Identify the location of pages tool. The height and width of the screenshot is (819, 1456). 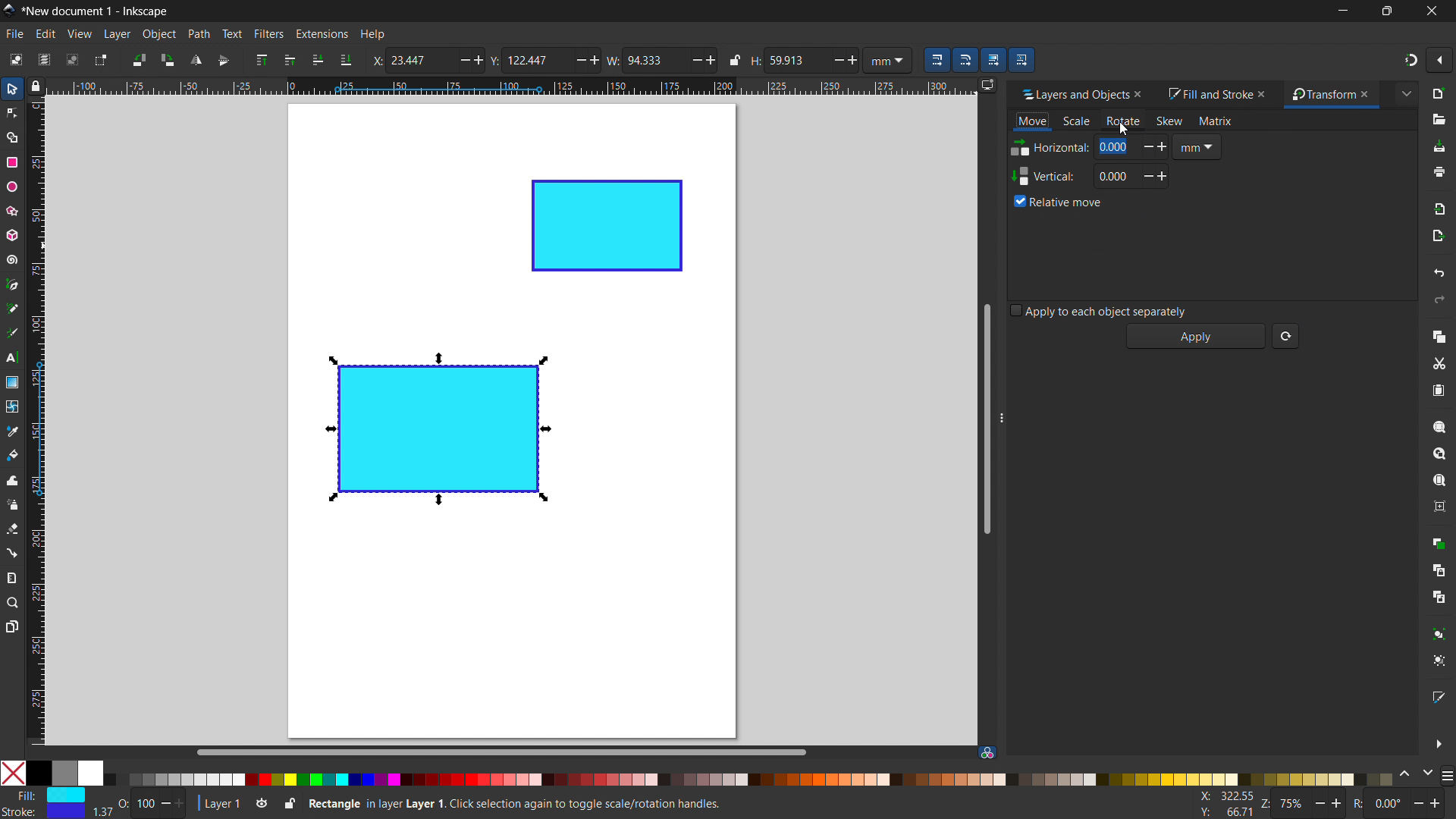
(13, 626).